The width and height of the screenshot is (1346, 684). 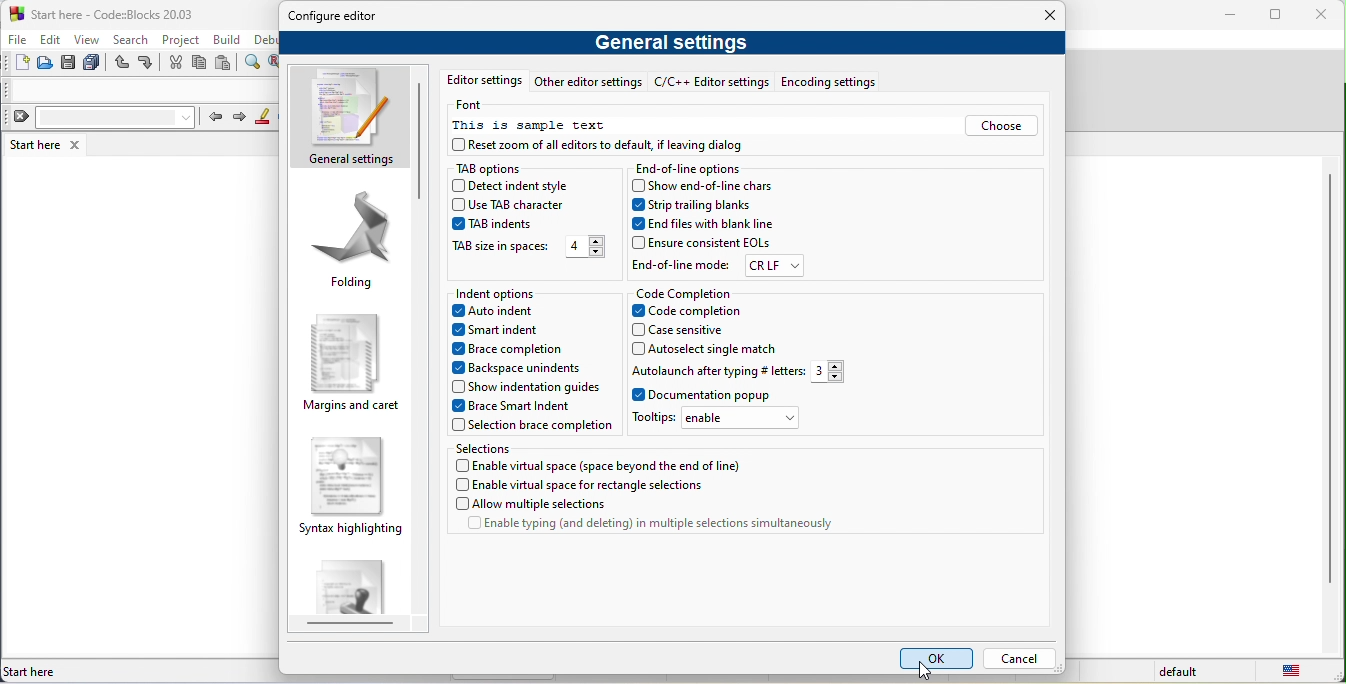 I want to click on tab options, so click(x=499, y=166).